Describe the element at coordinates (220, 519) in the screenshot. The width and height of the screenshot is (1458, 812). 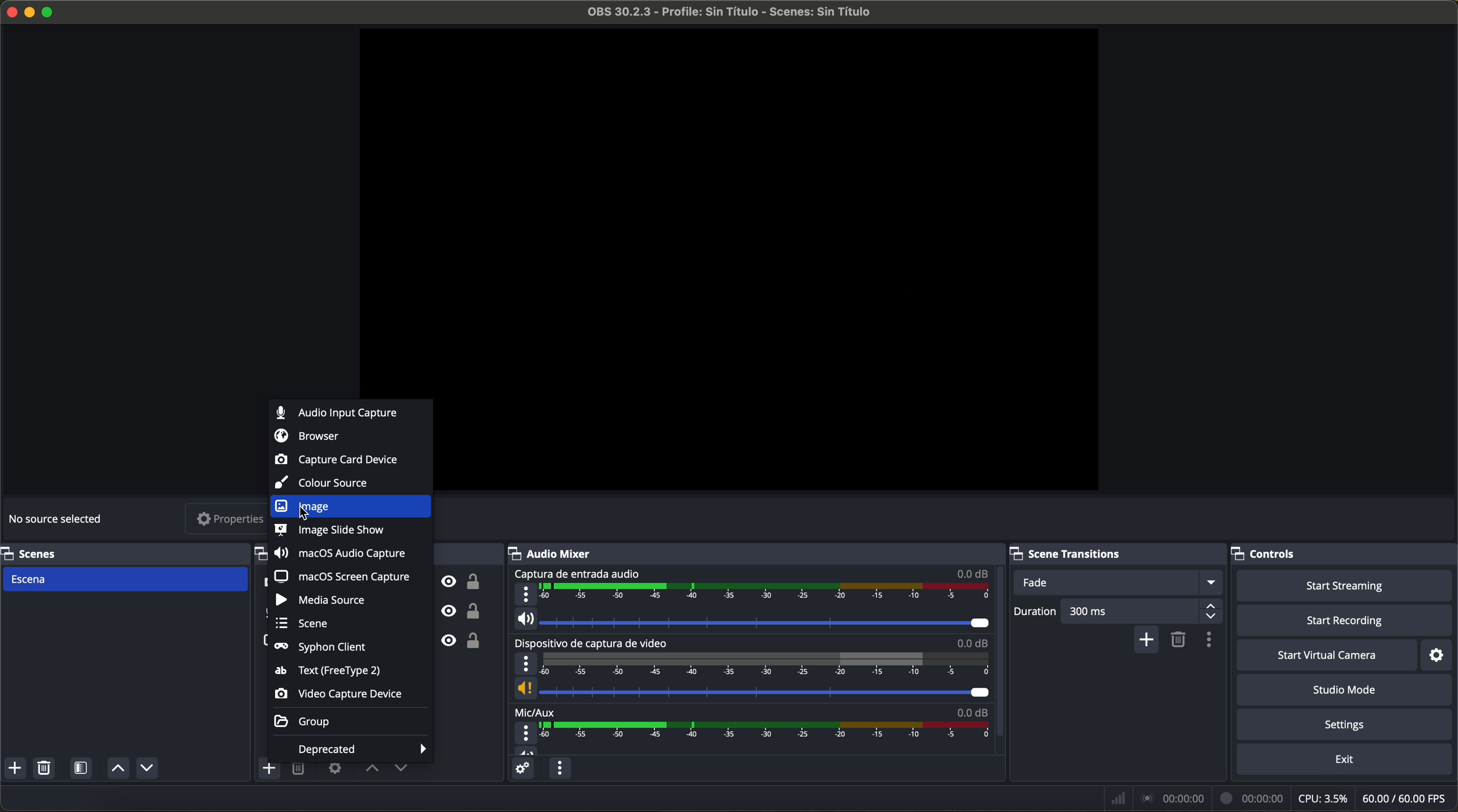
I see `properties` at that location.